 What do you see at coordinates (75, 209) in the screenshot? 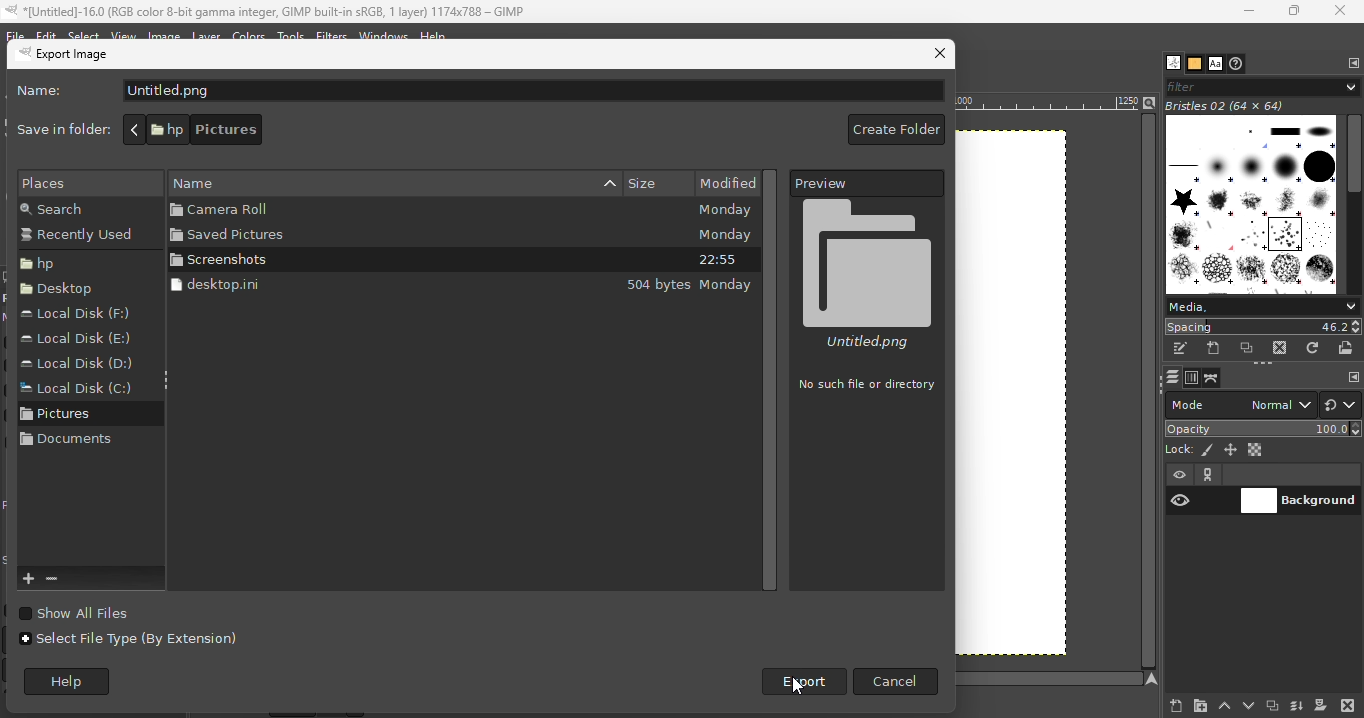
I see `search` at bounding box center [75, 209].